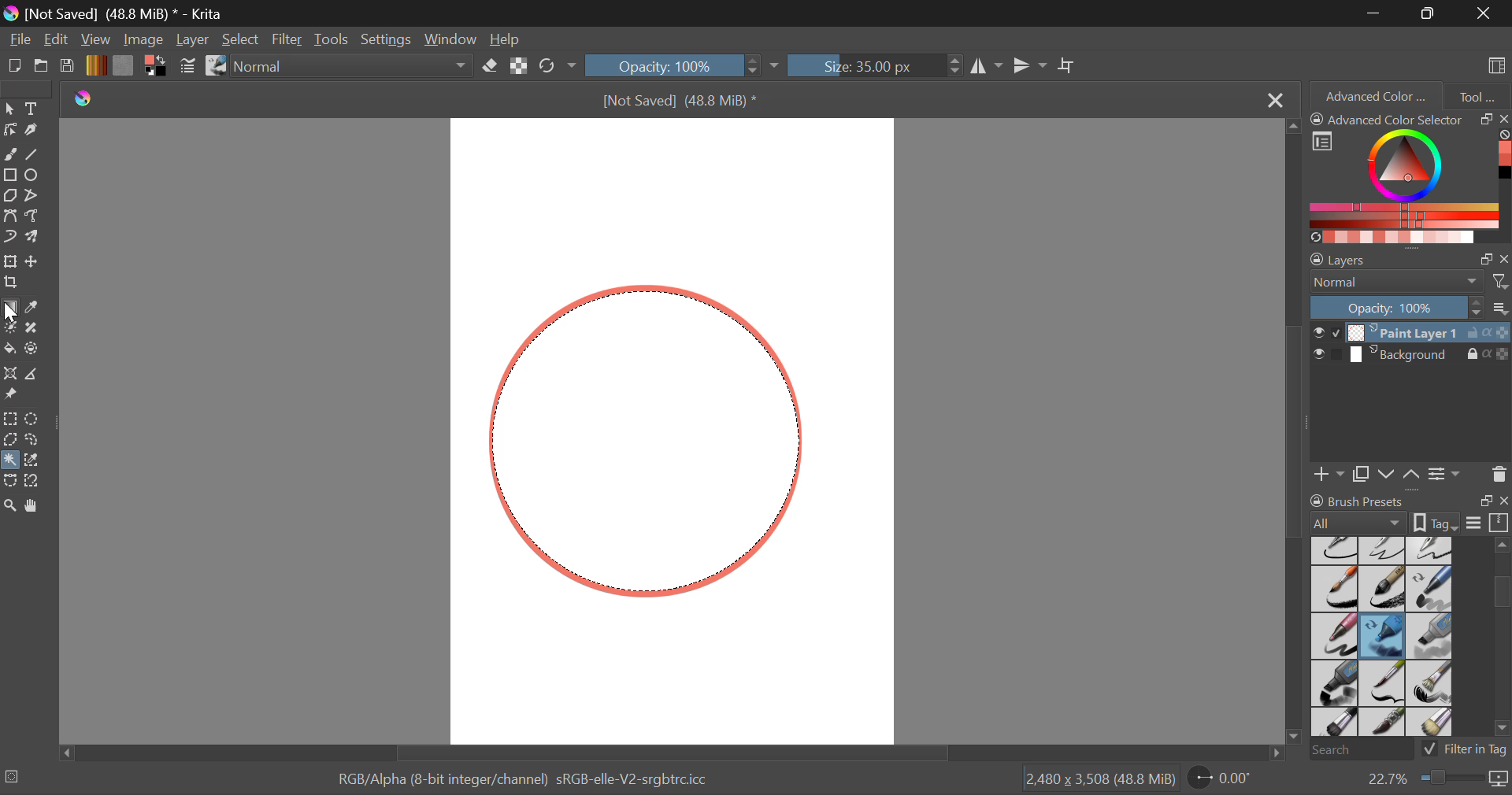 The width and height of the screenshot is (1512, 795). I want to click on Marker Smooth, so click(1334, 636).